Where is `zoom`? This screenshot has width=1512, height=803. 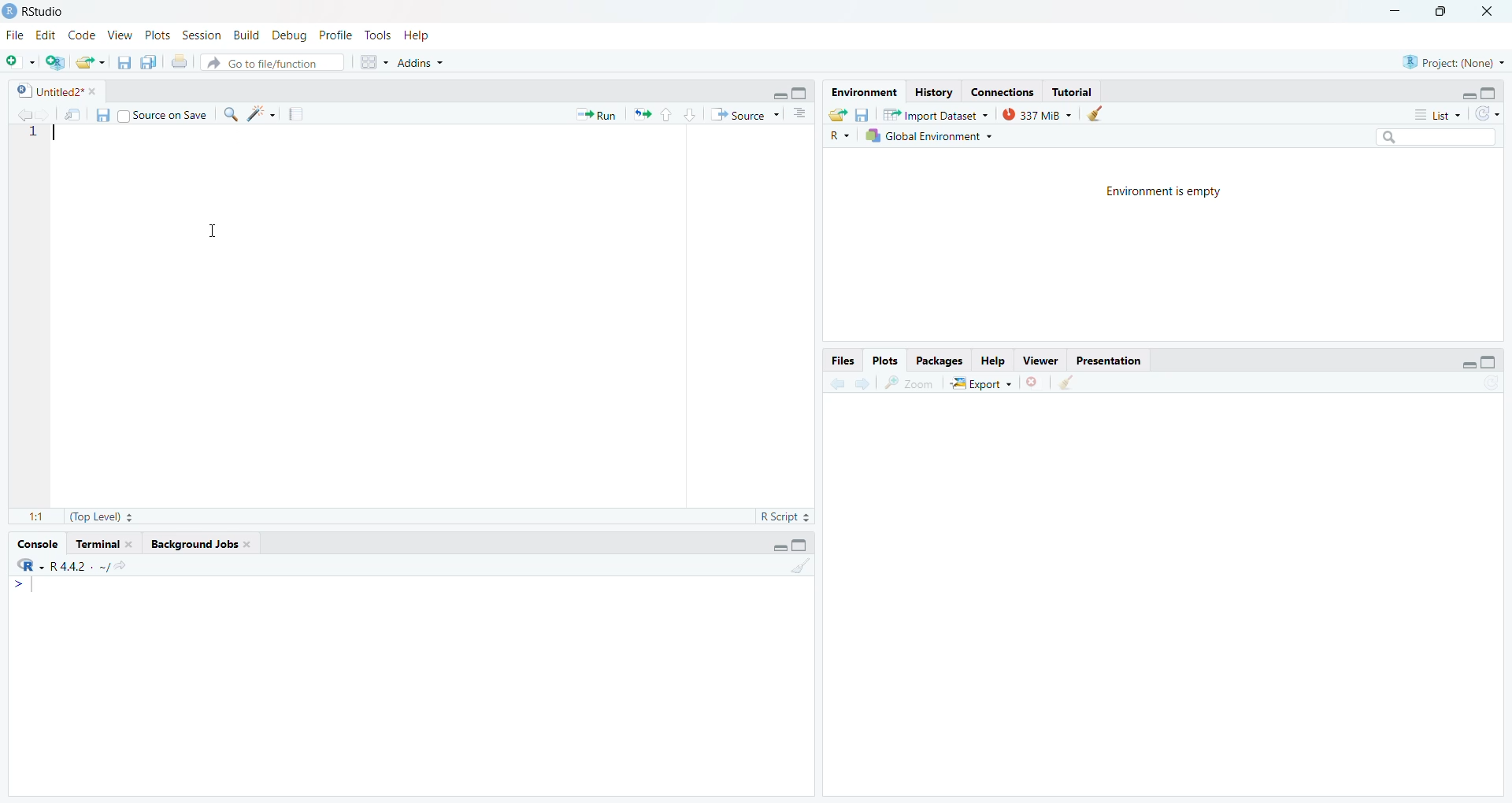
zoom is located at coordinates (910, 383).